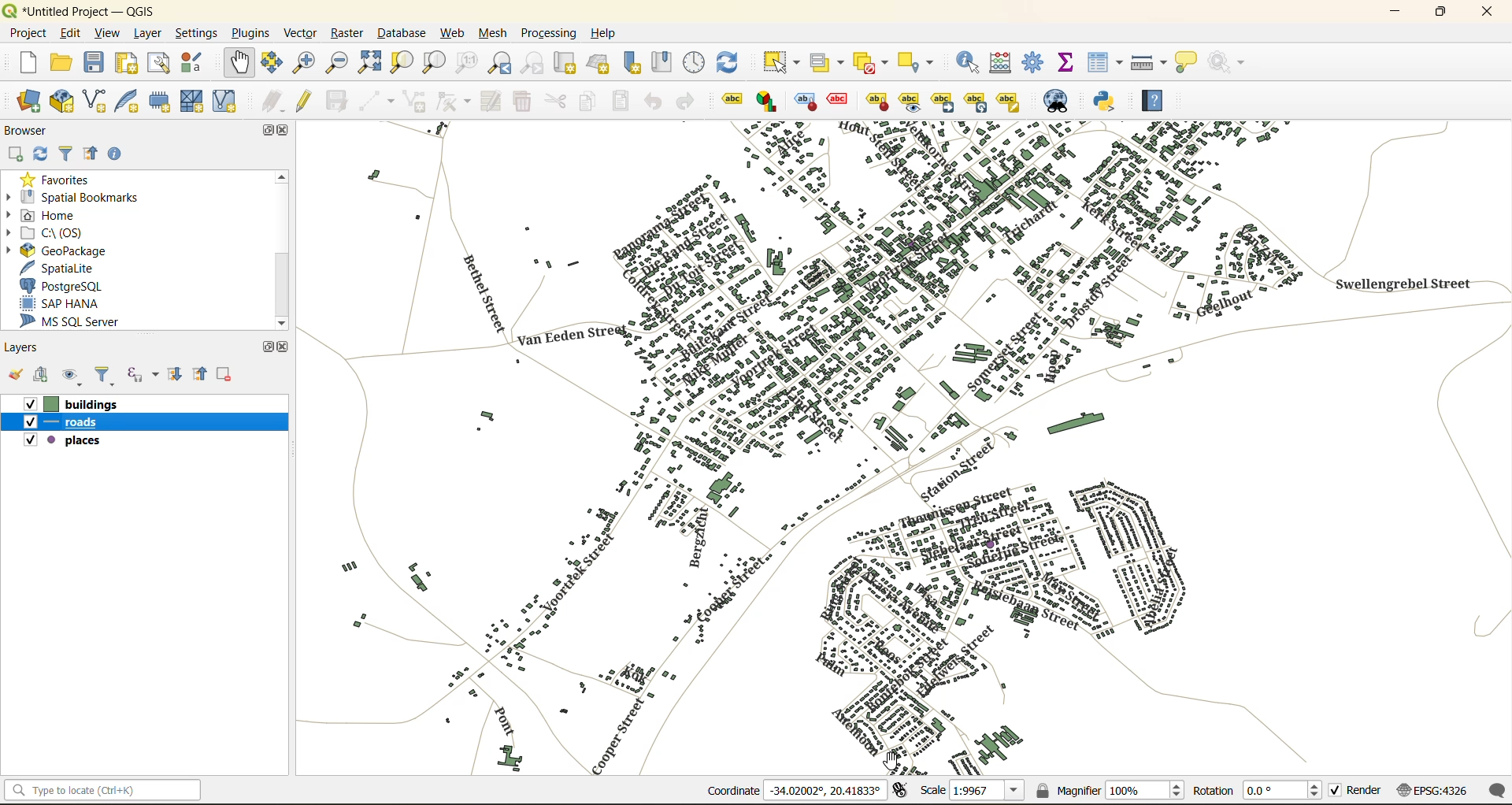  Describe the element at coordinates (1232, 63) in the screenshot. I see `no action` at that location.